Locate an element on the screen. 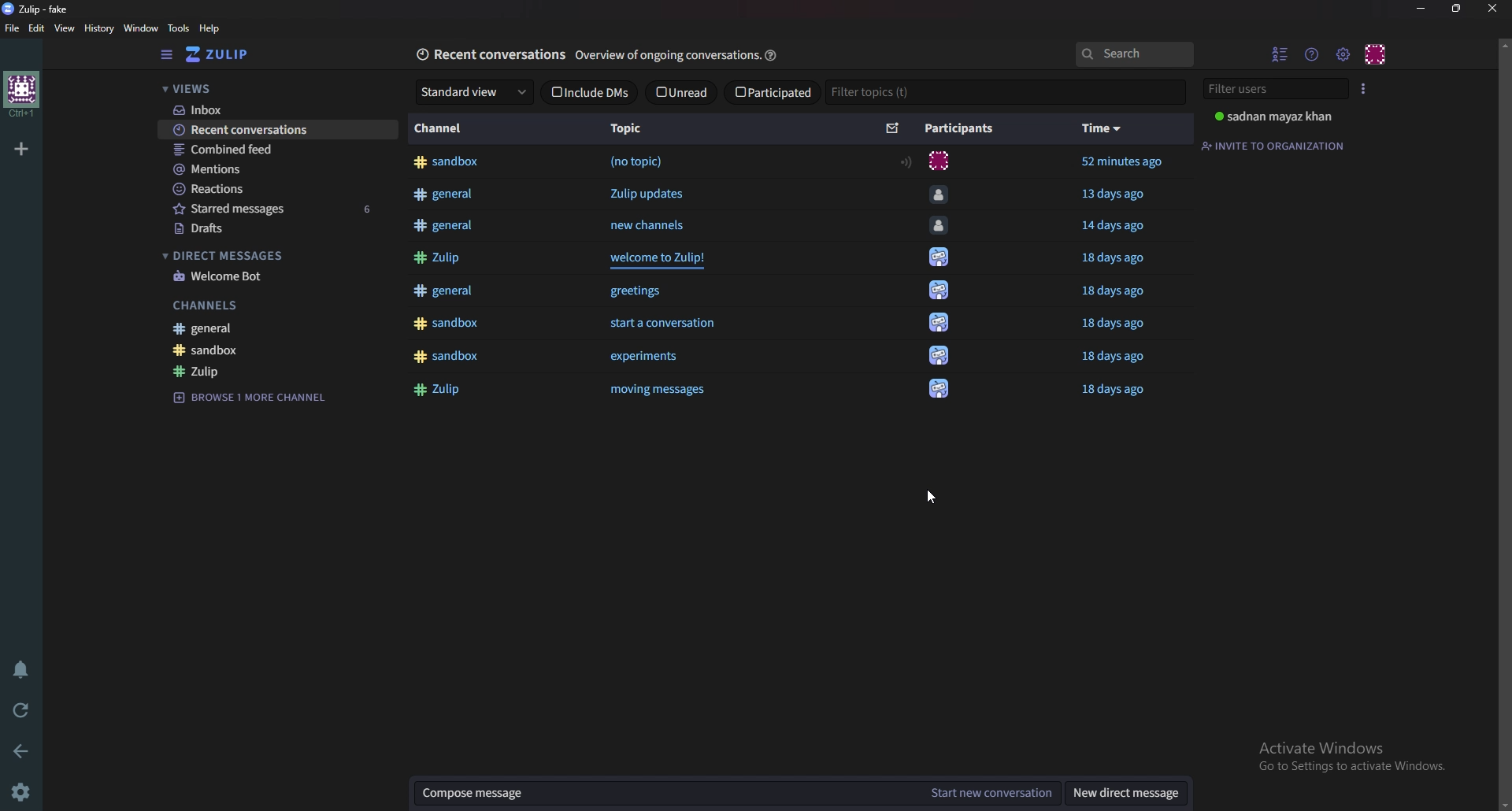  18 days ago is located at coordinates (1121, 262).